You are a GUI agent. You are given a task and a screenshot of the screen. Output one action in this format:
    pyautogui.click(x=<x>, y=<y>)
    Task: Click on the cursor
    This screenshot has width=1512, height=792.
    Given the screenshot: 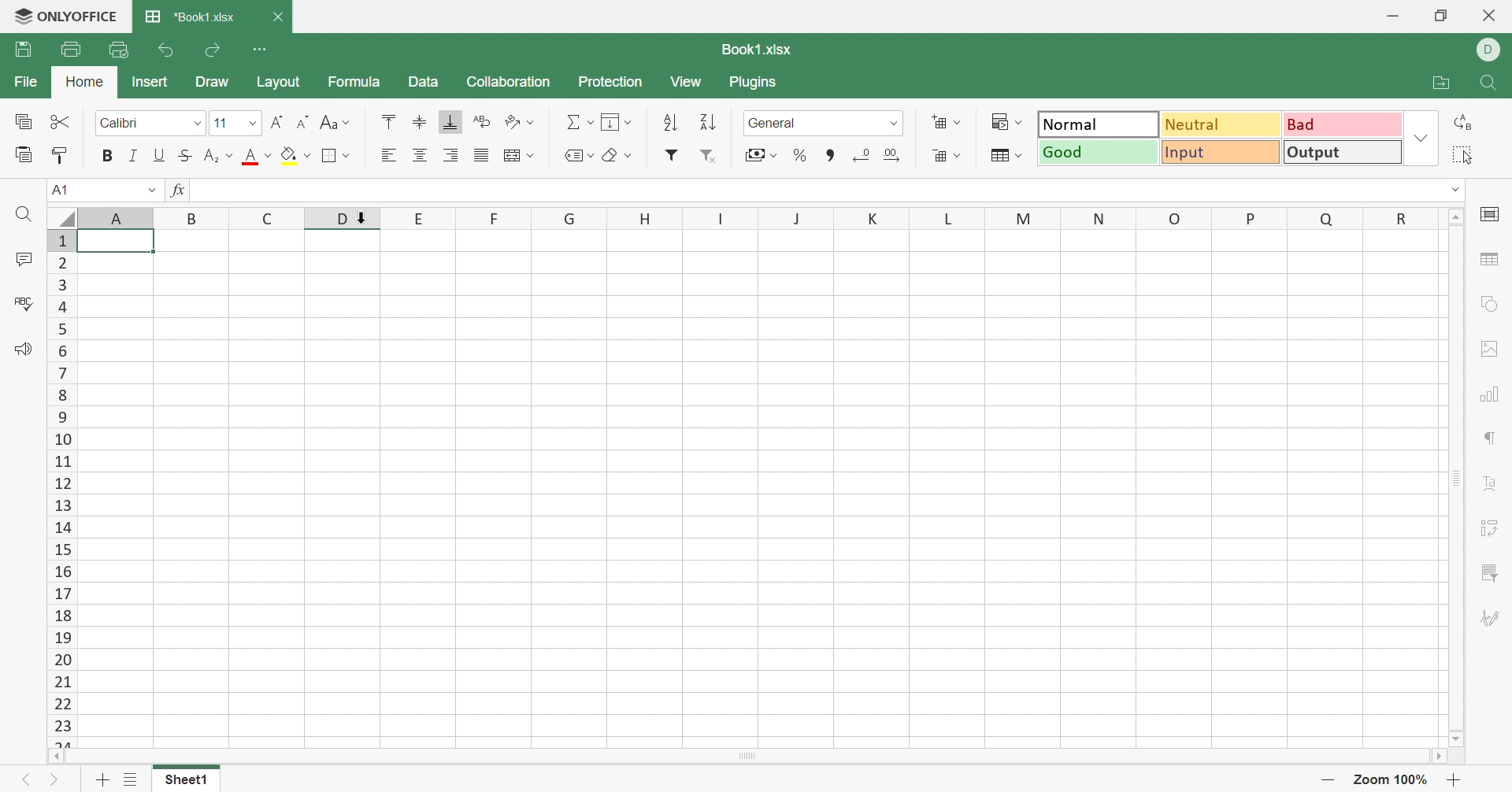 What is the action you would take?
    pyautogui.click(x=351, y=227)
    